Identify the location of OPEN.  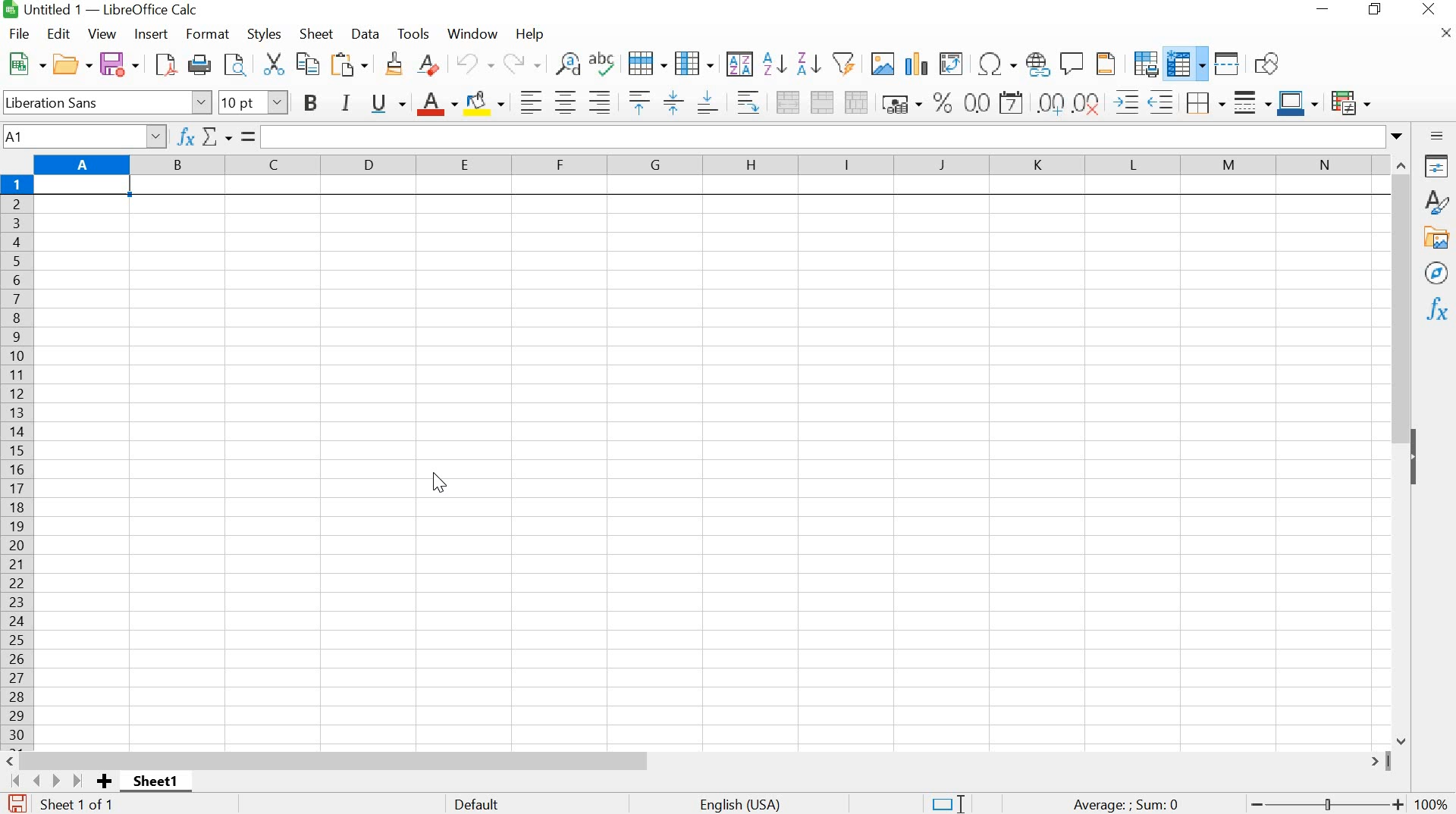
(71, 64).